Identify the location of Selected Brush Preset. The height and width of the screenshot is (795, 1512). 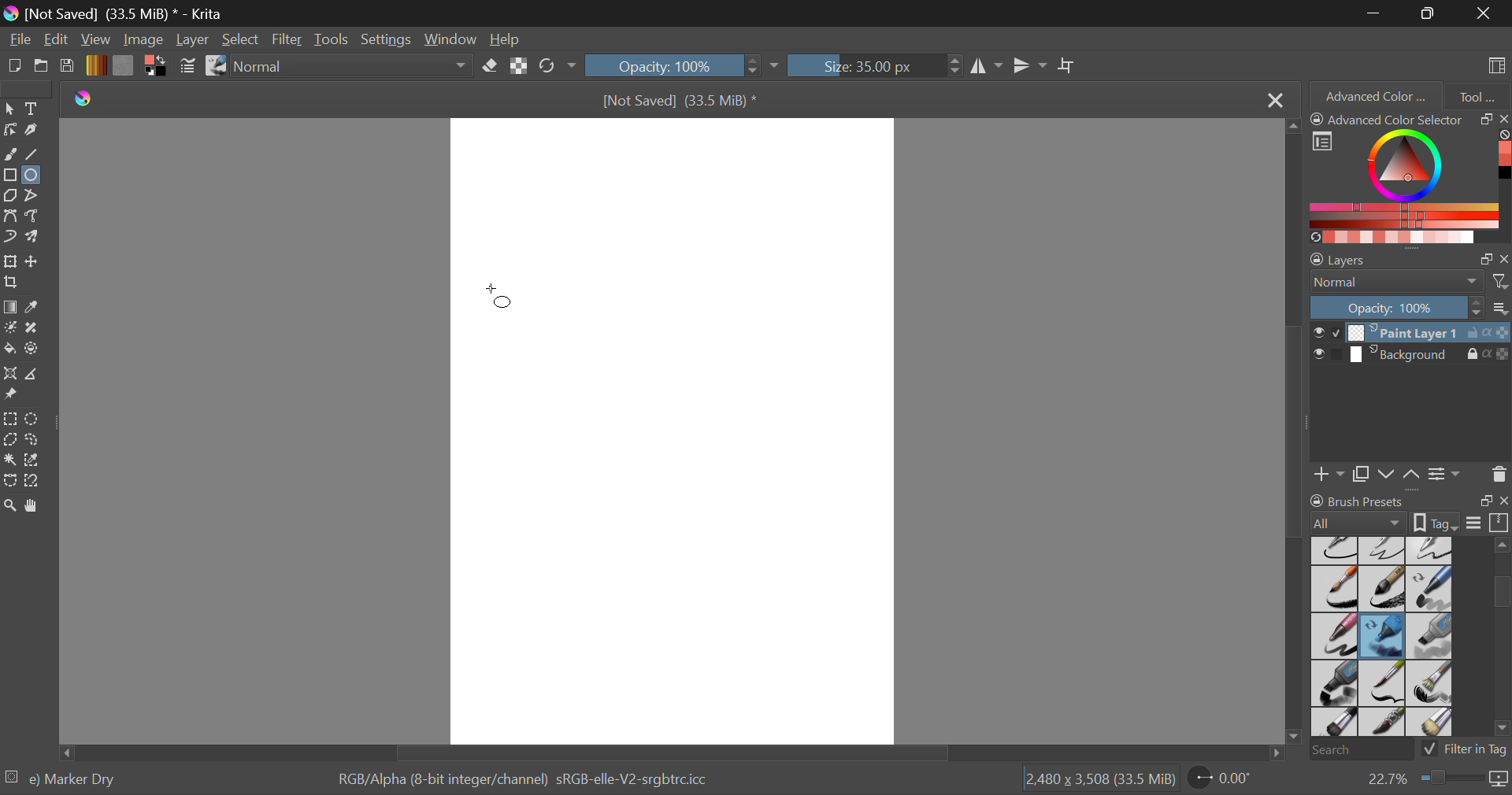
(65, 777).